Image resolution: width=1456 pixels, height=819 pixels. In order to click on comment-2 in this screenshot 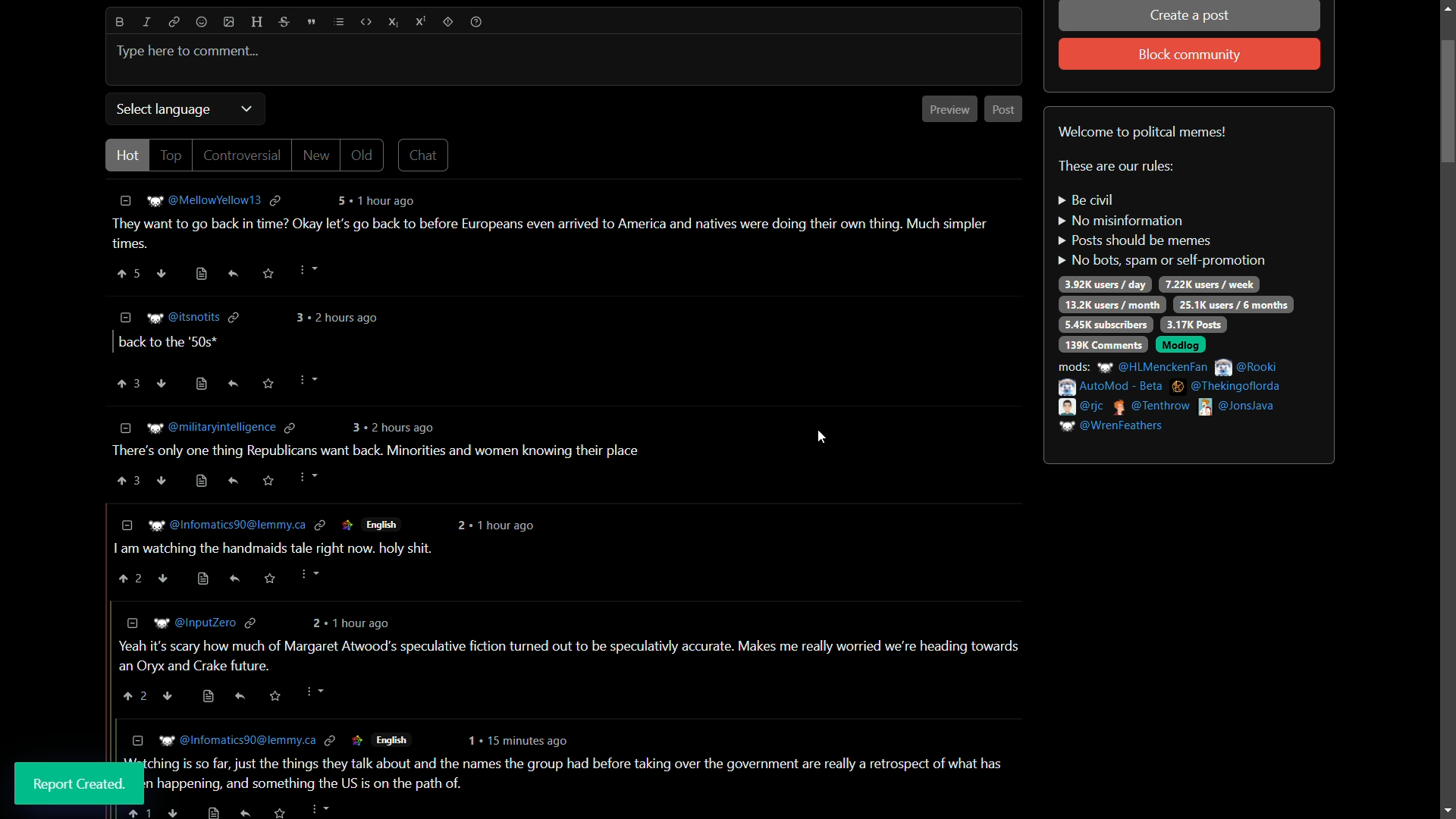, I will do `click(167, 344)`.